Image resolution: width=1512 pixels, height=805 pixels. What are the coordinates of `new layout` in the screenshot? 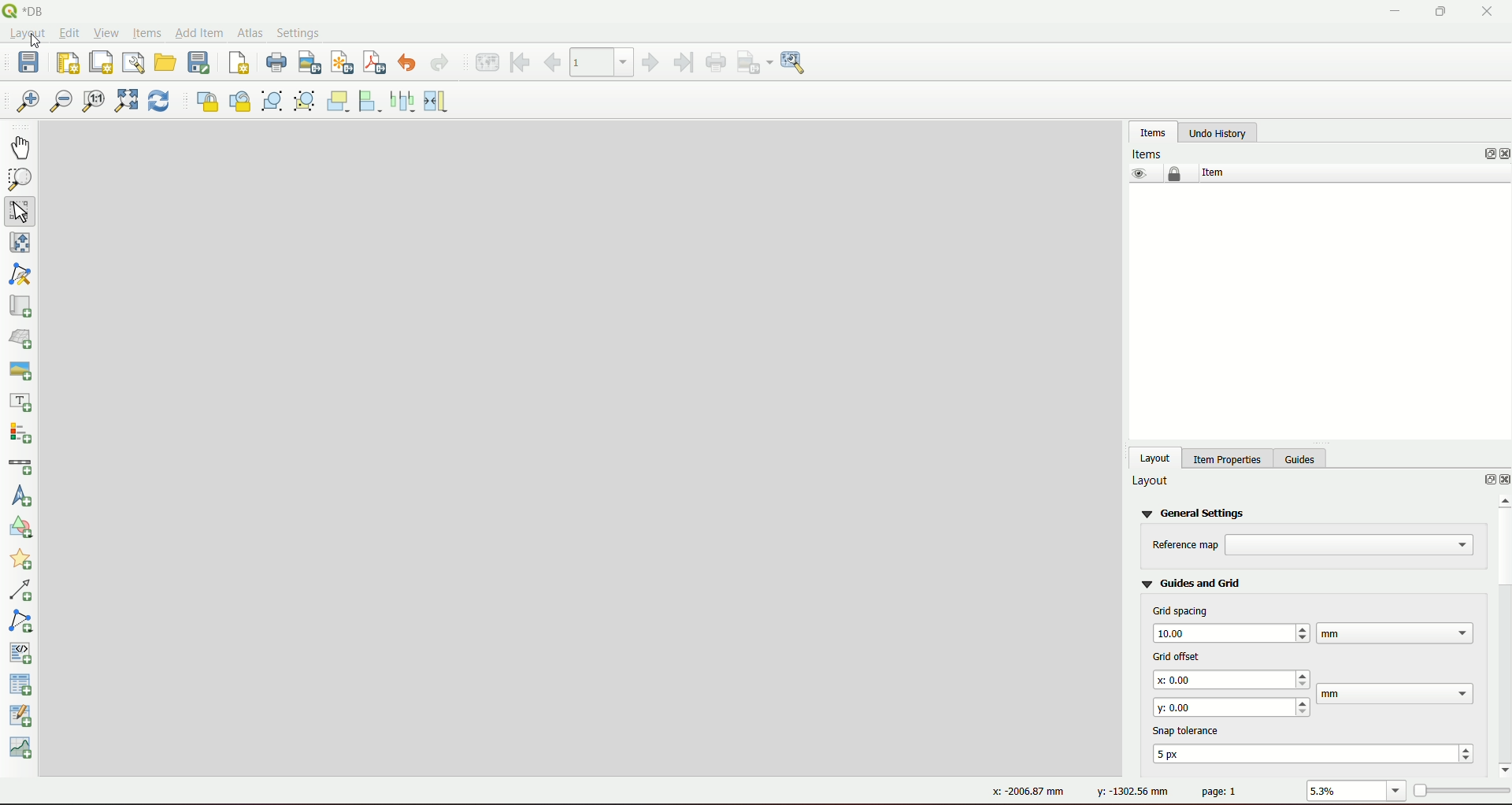 It's located at (68, 61).